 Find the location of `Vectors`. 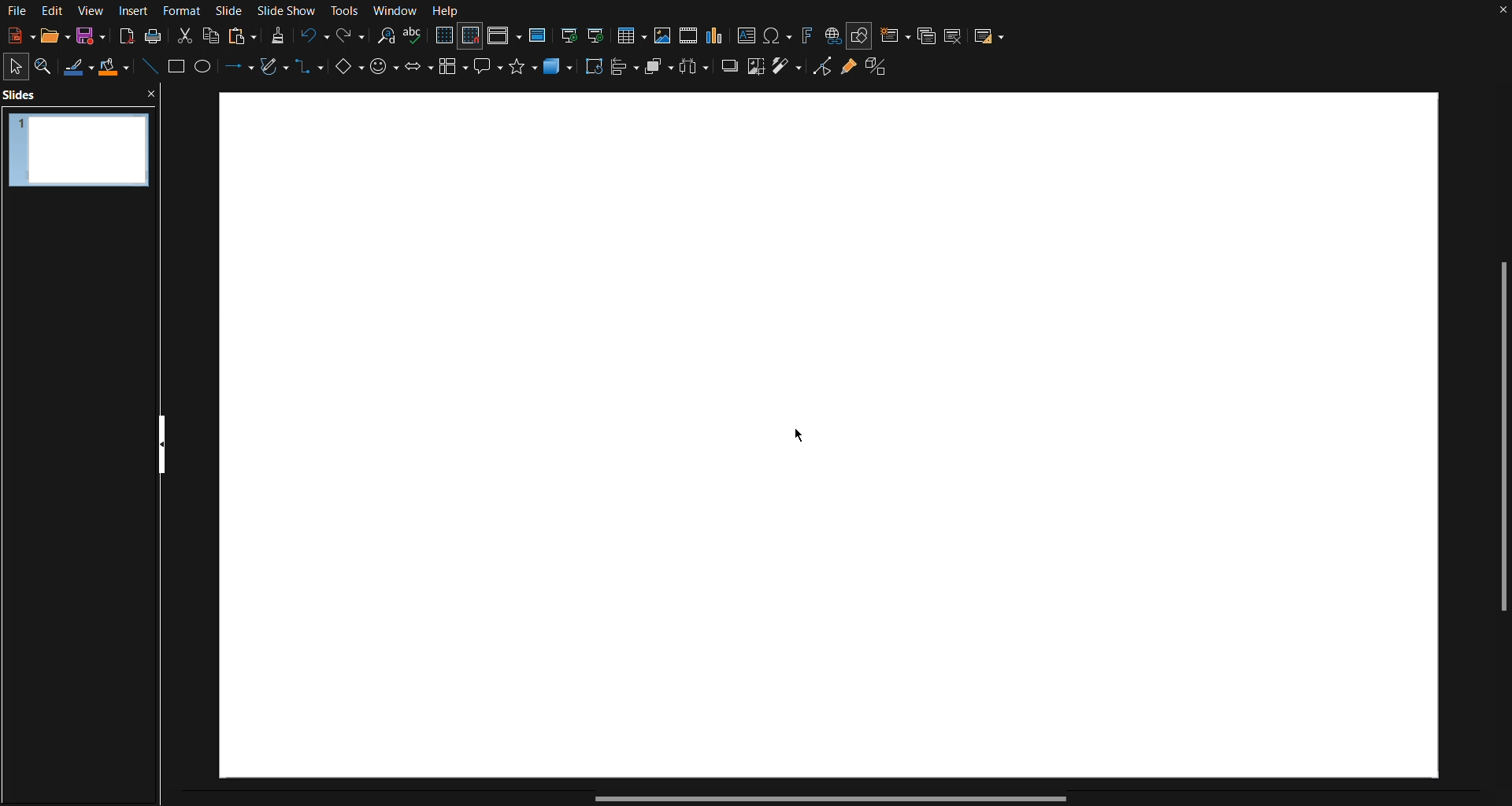

Vectors is located at coordinates (273, 70).